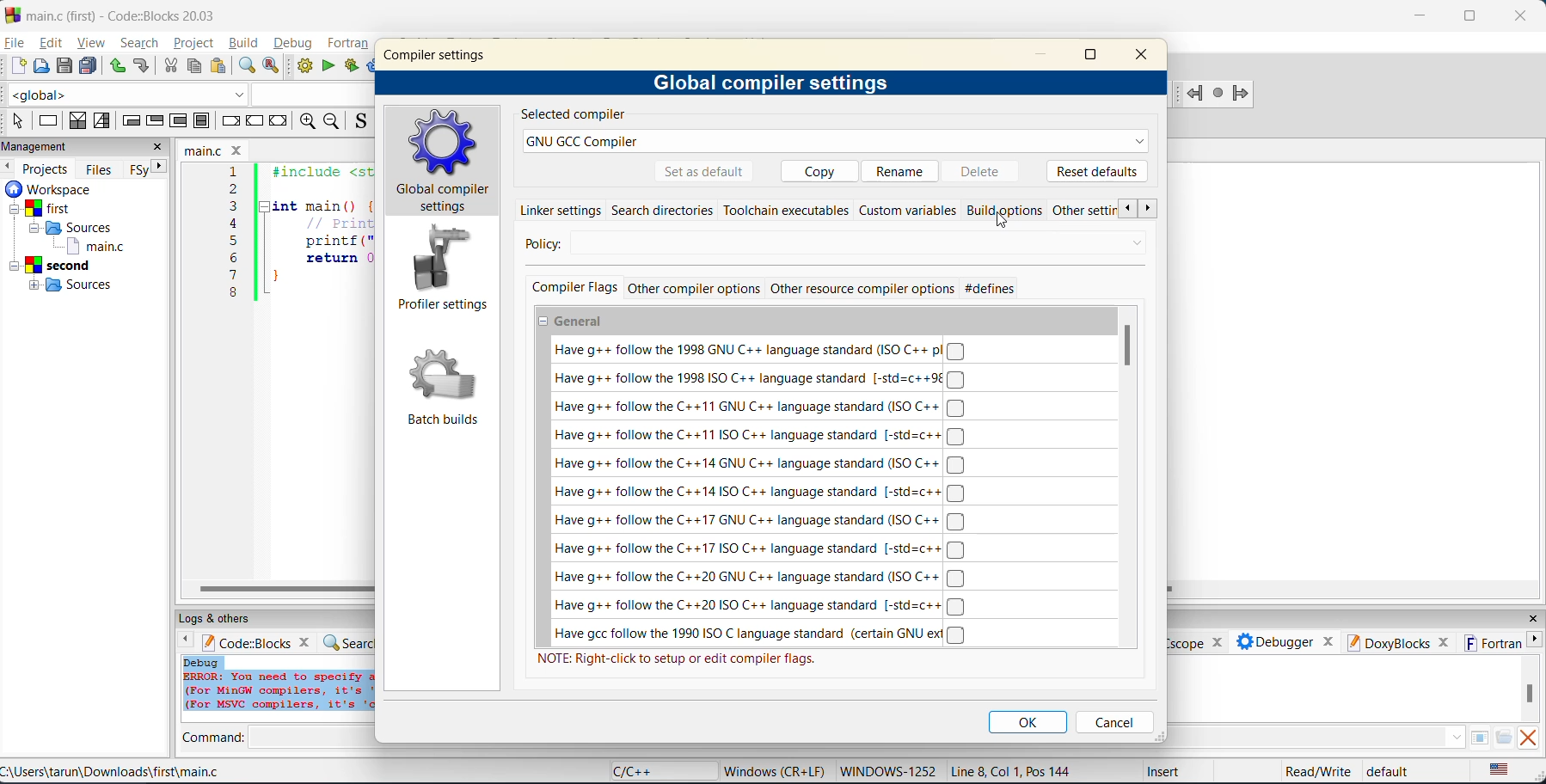 The image size is (1546, 784). I want to click on counting loop, so click(180, 123).